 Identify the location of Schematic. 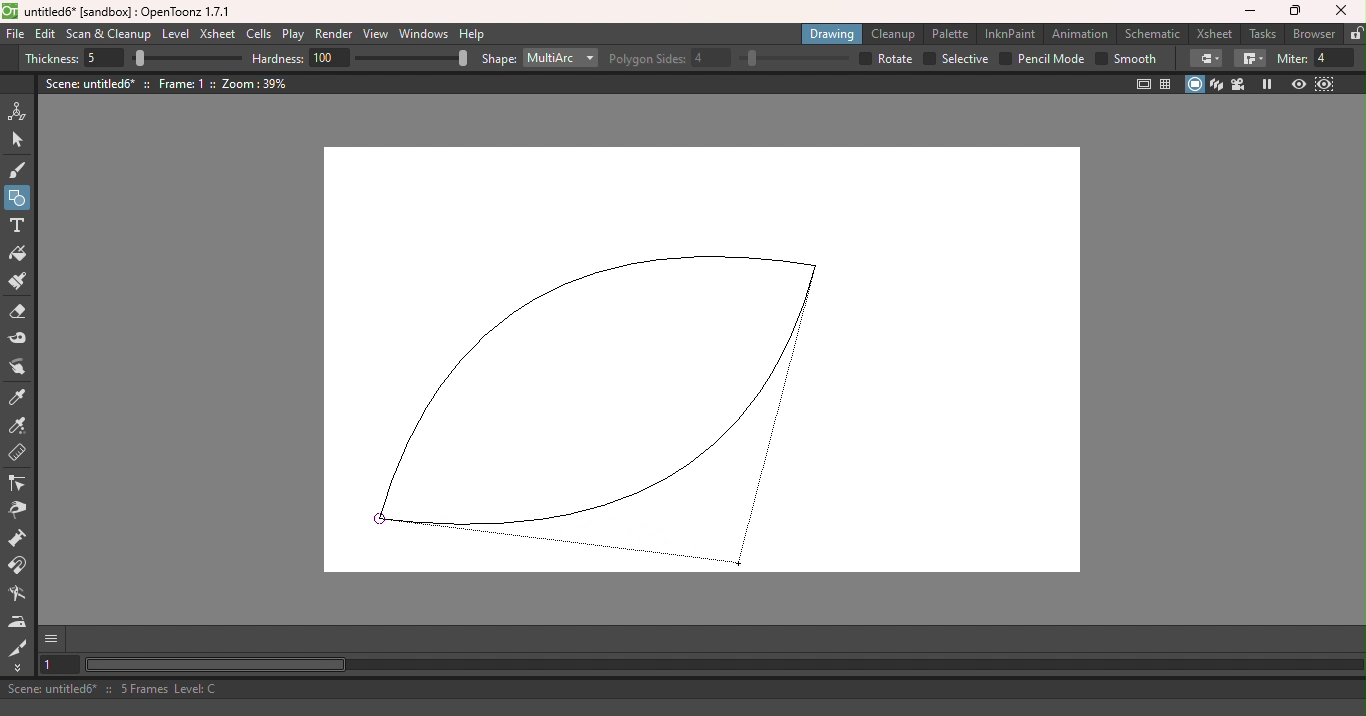
(1152, 33).